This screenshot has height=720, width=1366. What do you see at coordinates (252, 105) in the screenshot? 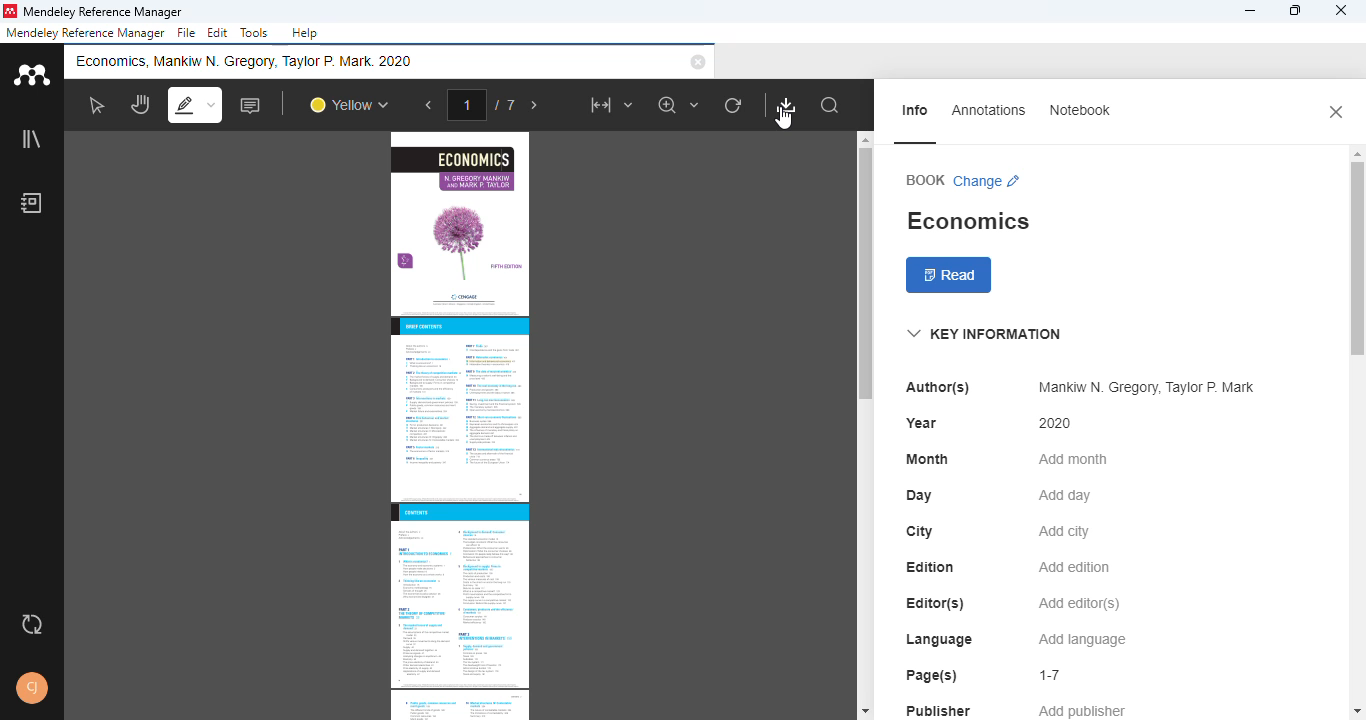
I see `note` at bounding box center [252, 105].